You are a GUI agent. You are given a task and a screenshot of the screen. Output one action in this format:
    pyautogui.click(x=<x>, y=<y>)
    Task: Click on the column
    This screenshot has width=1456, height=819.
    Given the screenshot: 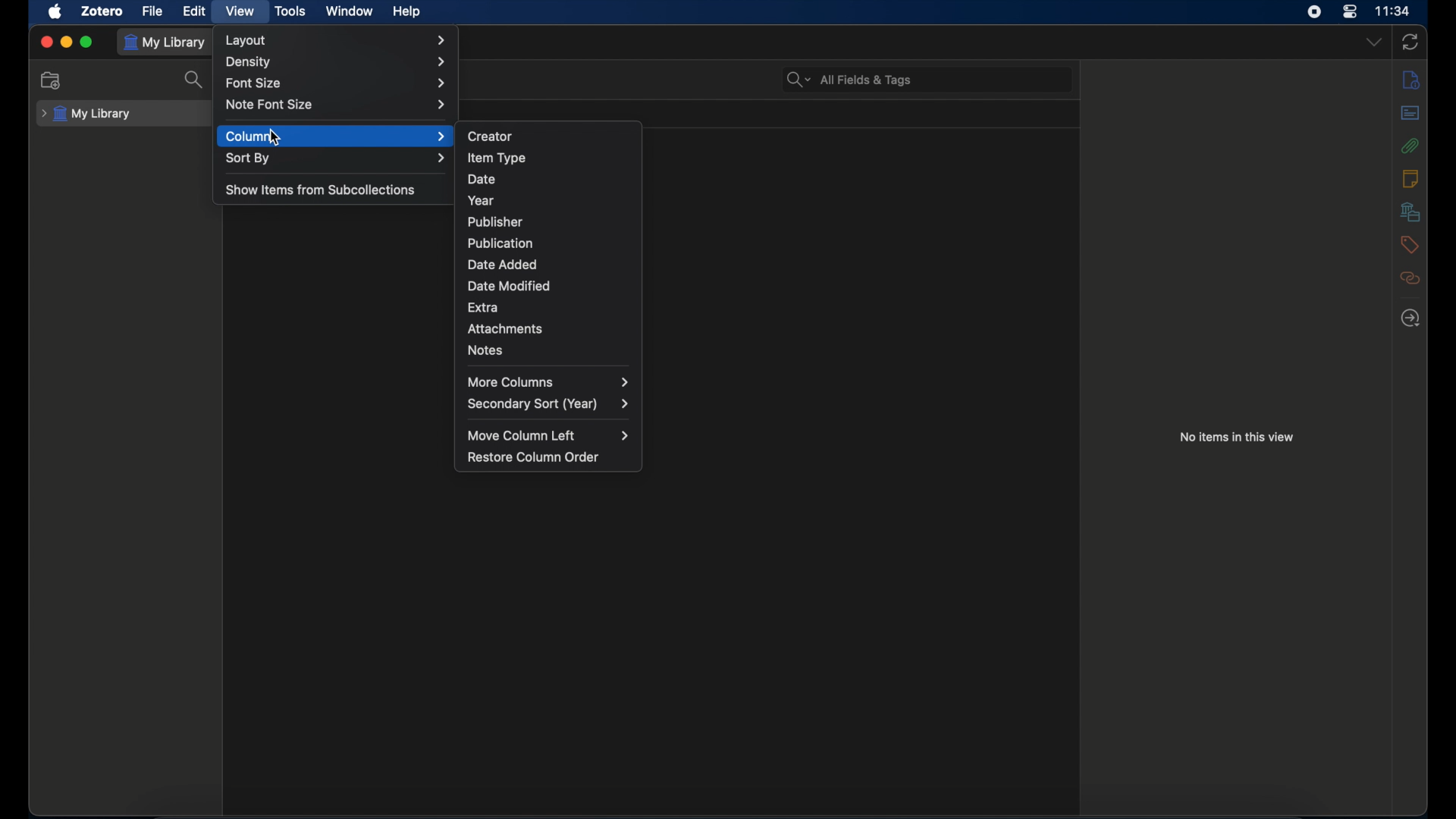 What is the action you would take?
    pyautogui.click(x=336, y=136)
    